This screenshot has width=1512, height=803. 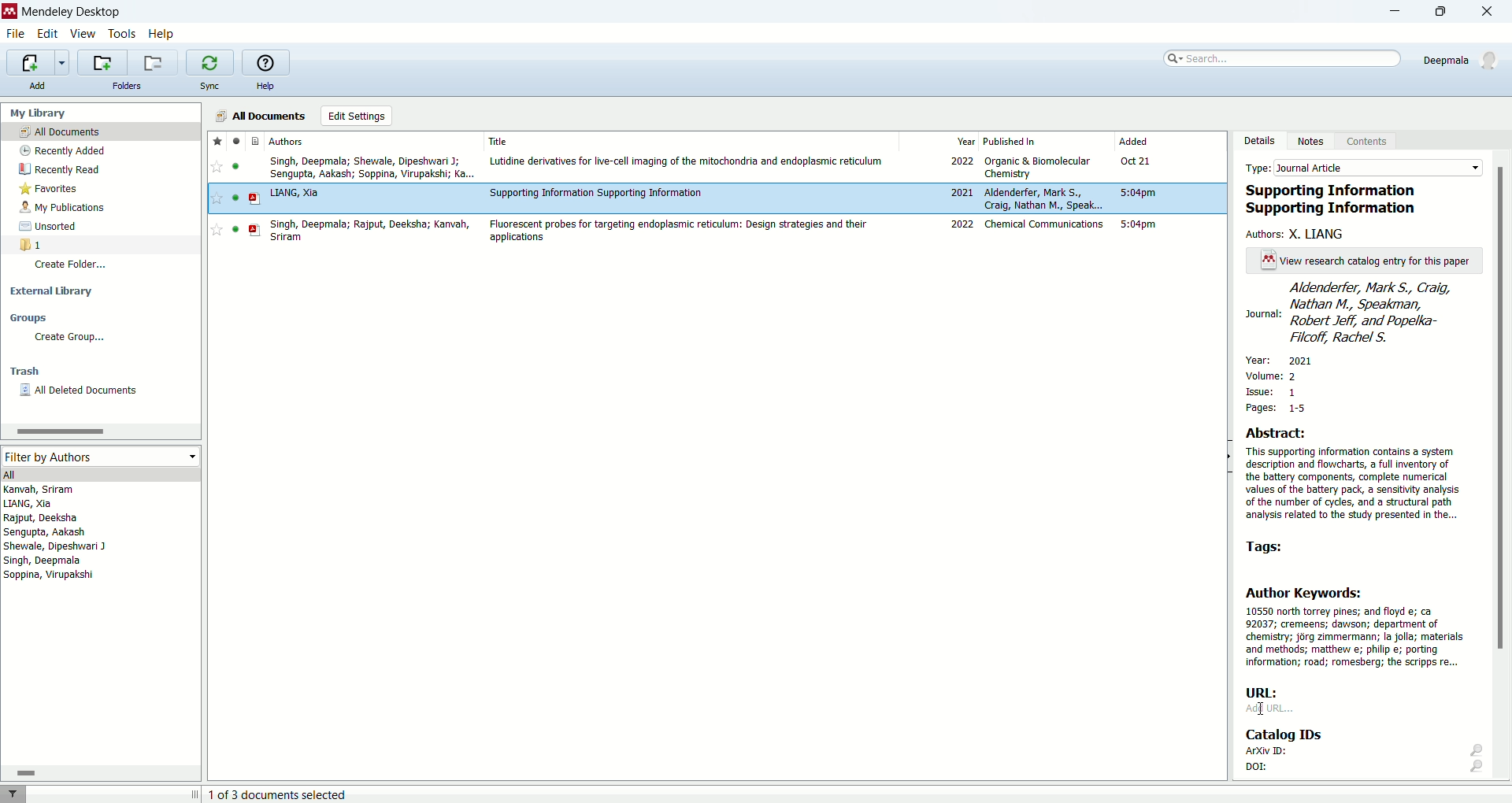 I want to click on create a new folder, so click(x=102, y=63).